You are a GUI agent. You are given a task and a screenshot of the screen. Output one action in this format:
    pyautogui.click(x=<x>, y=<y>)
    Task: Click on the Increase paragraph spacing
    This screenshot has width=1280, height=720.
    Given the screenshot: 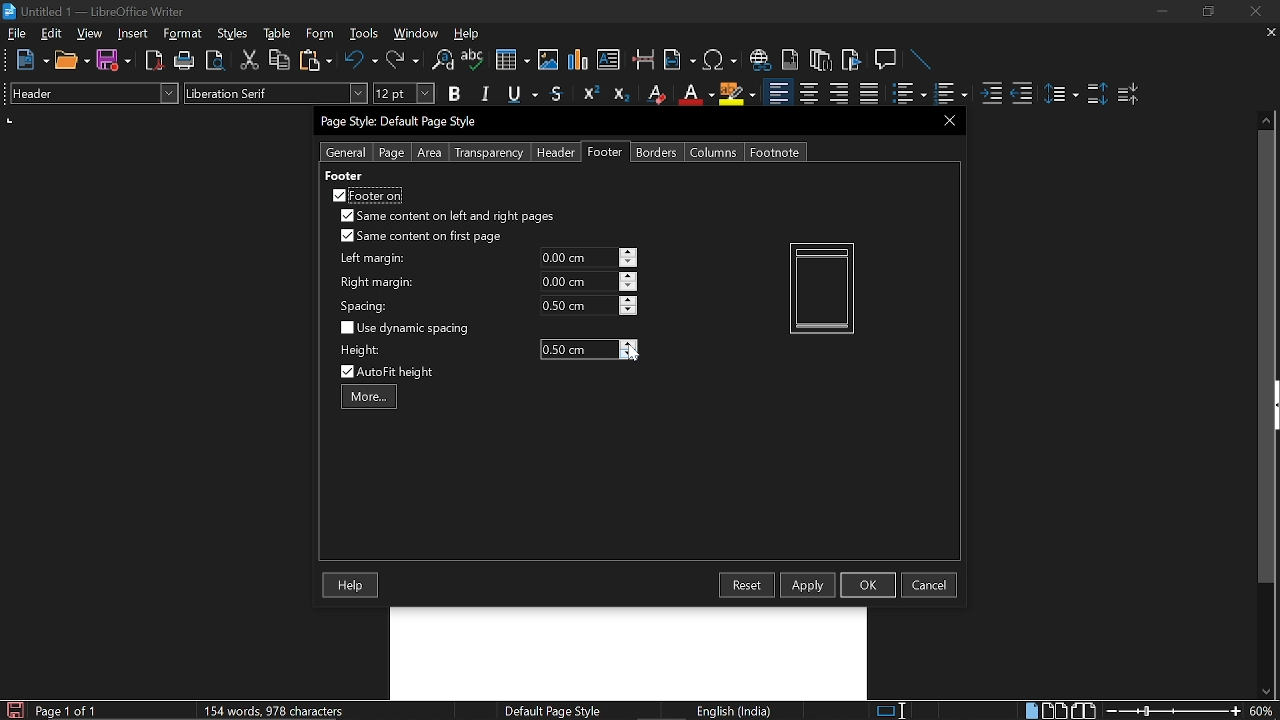 What is the action you would take?
    pyautogui.click(x=1097, y=95)
    